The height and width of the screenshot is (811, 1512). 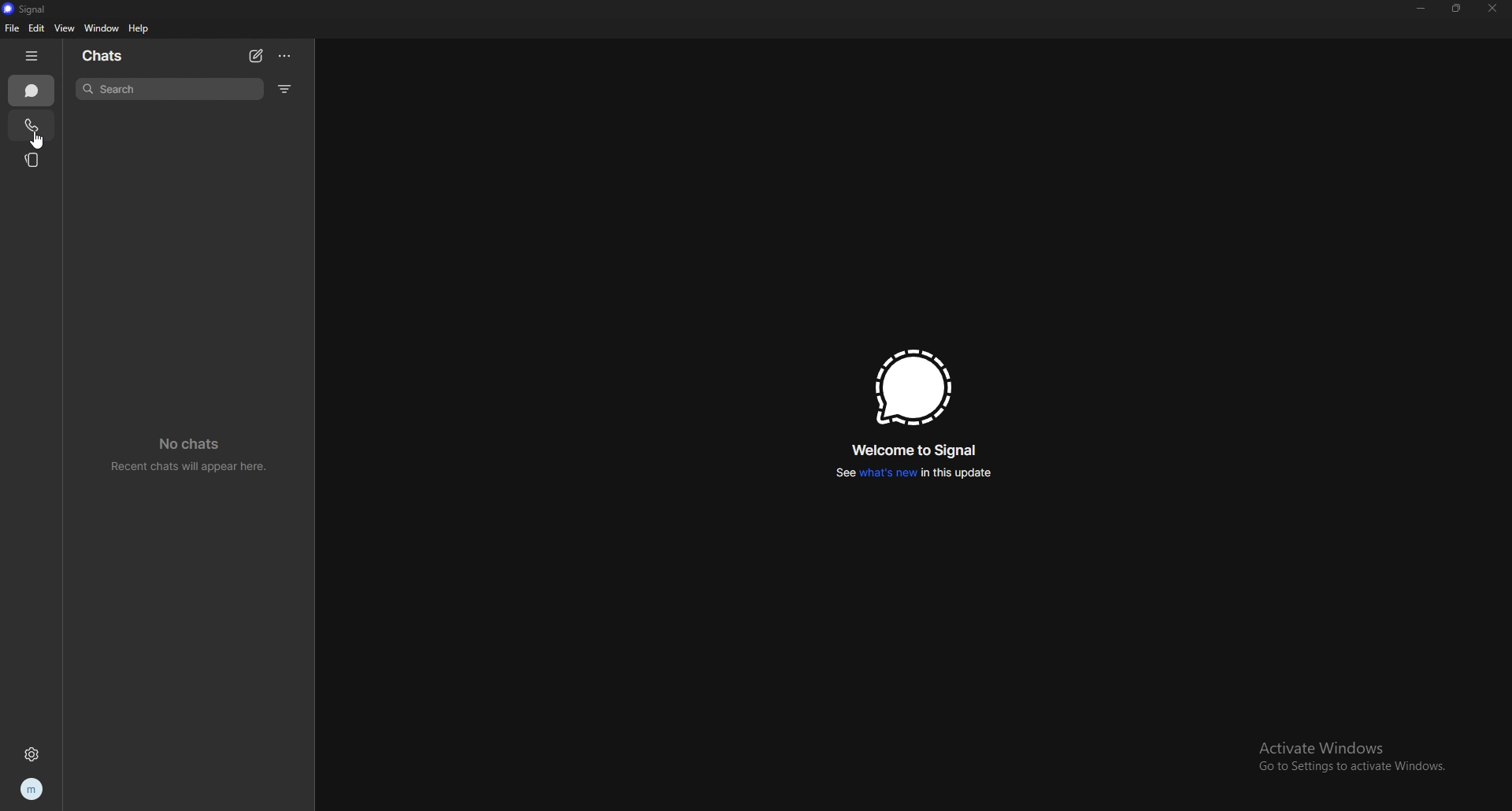 What do you see at coordinates (38, 139) in the screenshot?
I see `cursor` at bounding box center [38, 139].